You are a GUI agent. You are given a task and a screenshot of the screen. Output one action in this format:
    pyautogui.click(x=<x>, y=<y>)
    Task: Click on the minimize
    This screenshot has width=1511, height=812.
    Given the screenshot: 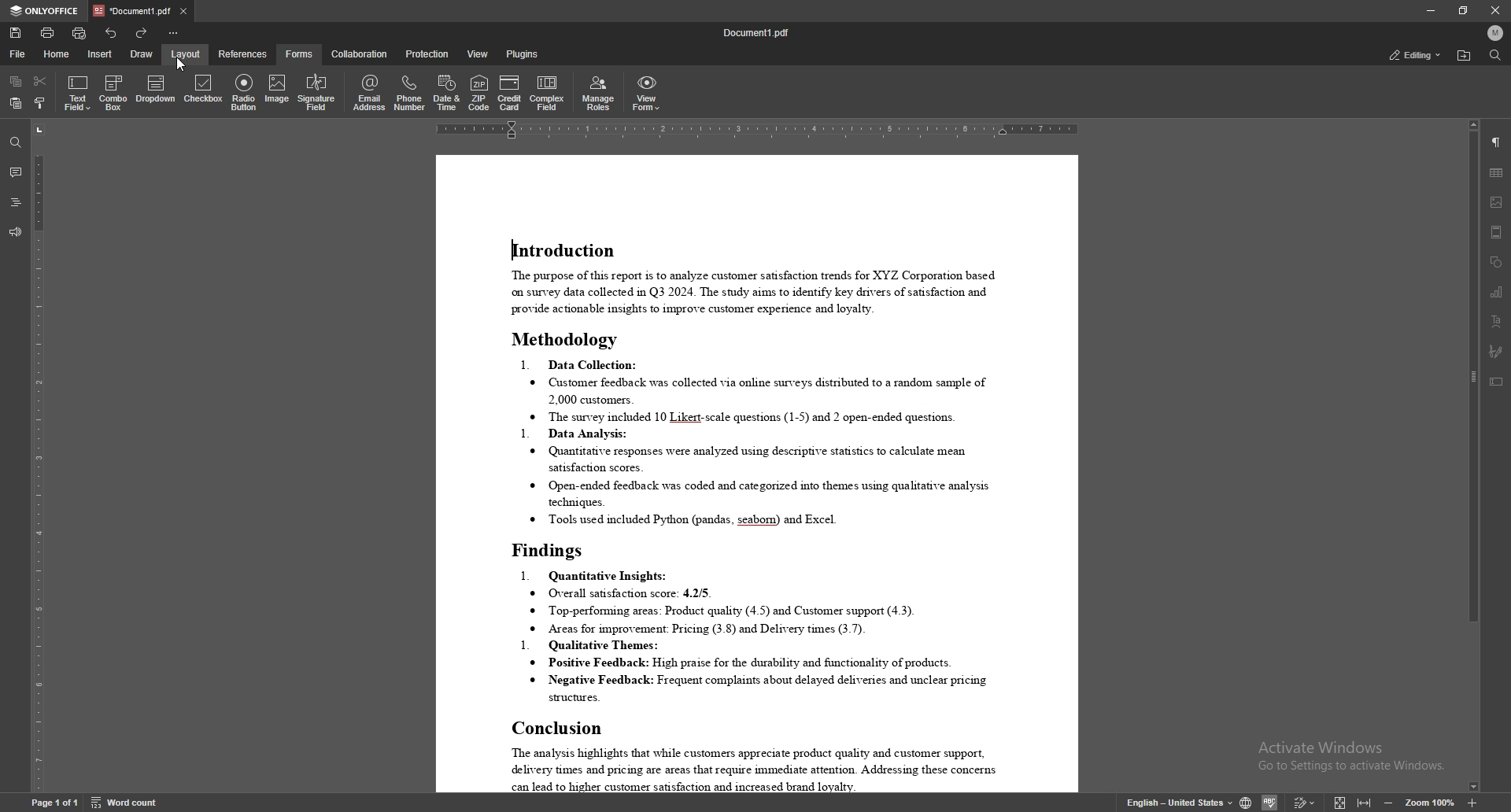 What is the action you would take?
    pyautogui.click(x=1431, y=10)
    